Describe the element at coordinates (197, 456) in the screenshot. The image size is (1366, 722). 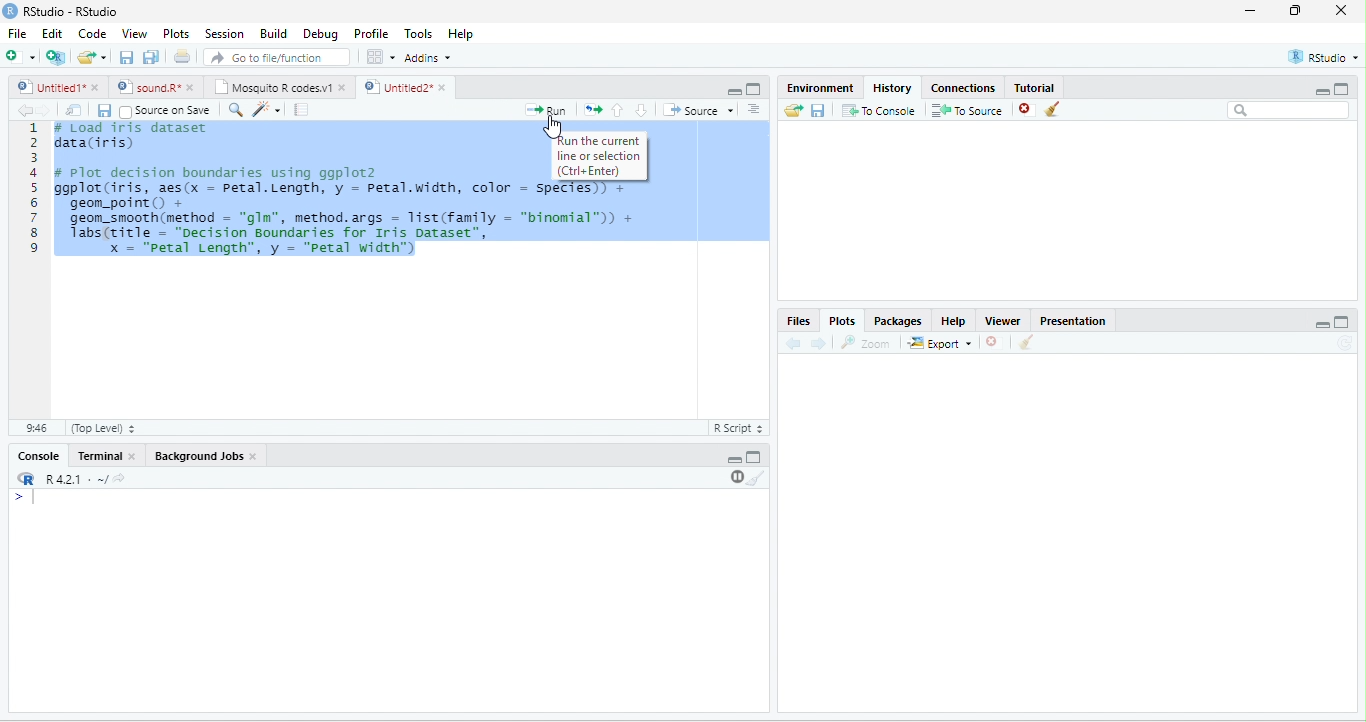
I see `Background Jobs` at that location.